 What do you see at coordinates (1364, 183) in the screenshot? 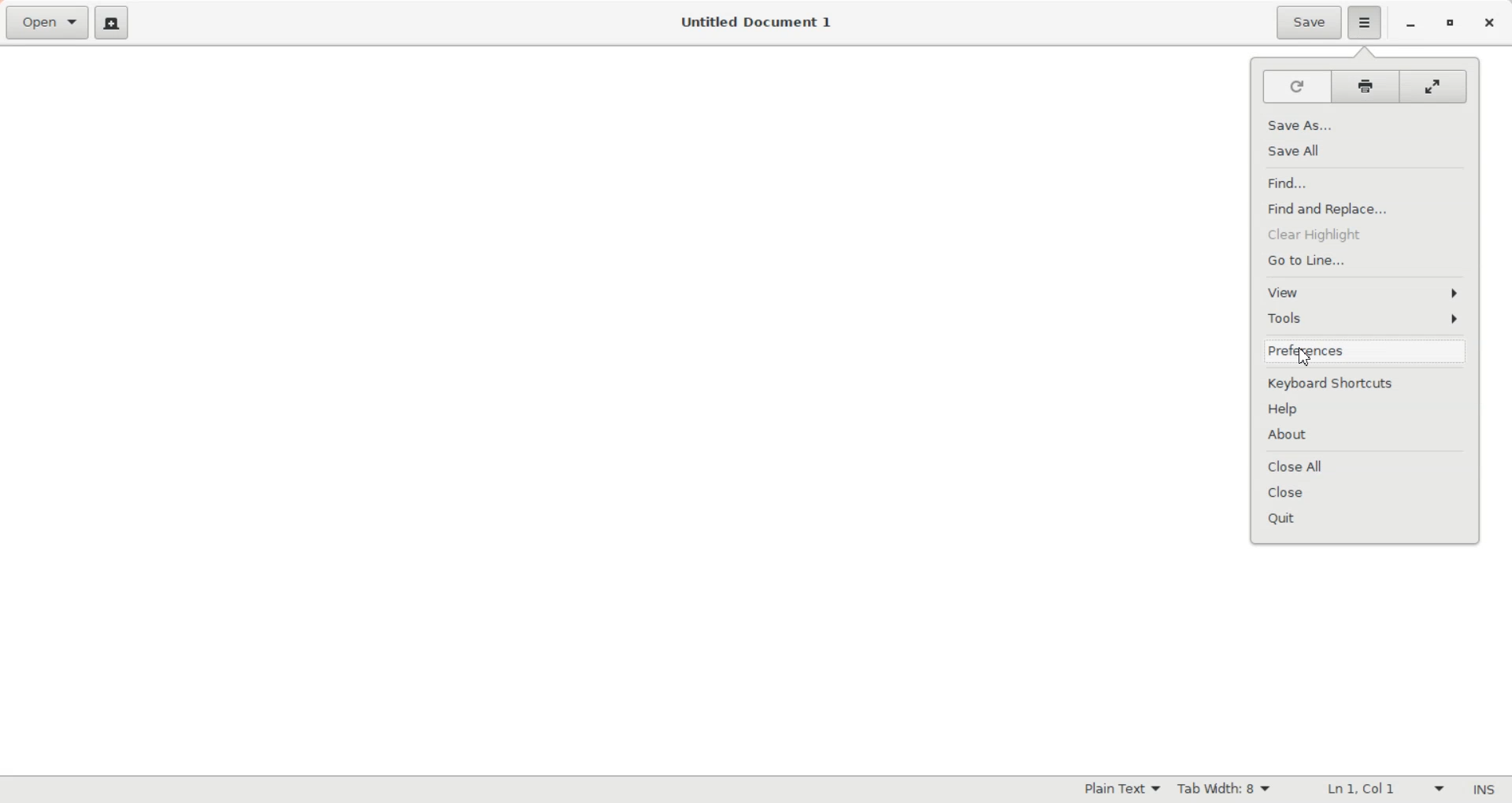
I see `Find` at bounding box center [1364, 183].